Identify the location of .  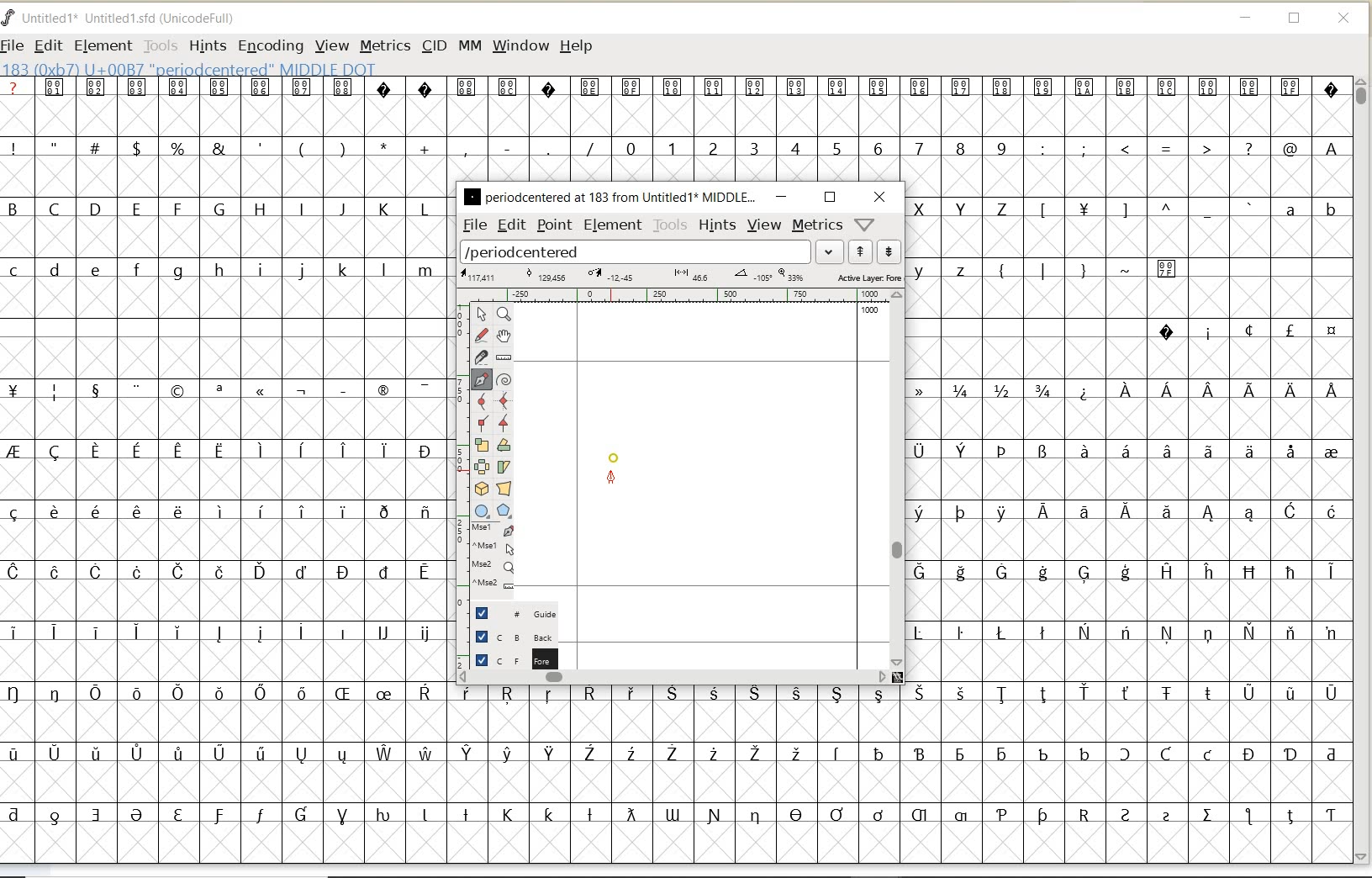
(1143, 211).